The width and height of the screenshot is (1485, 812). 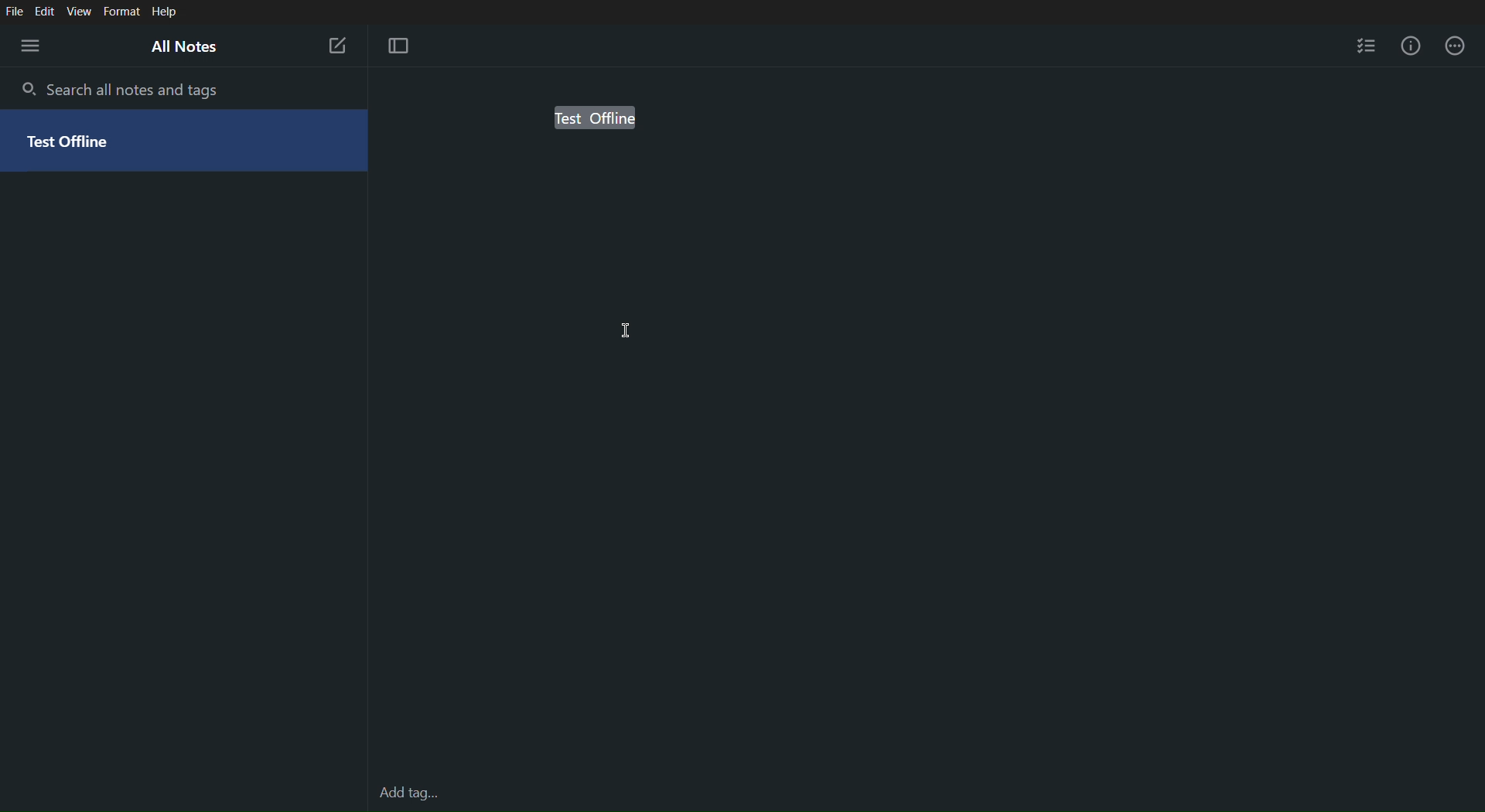 What do you see at coordinates (337, 45) in the screenshot?
I see `New Note` at bounding box center [337, 45].